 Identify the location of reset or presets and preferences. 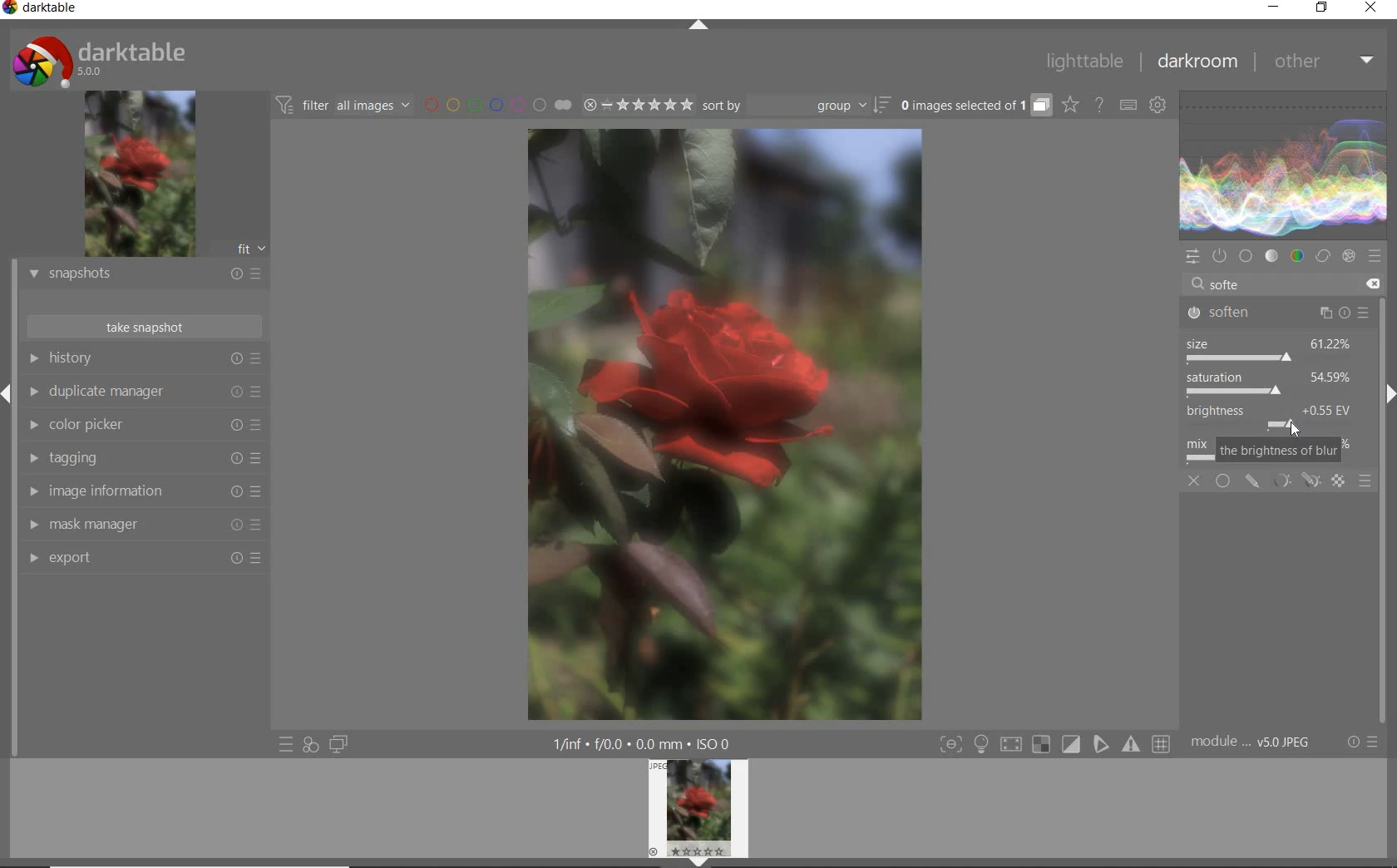
(1363, 742).